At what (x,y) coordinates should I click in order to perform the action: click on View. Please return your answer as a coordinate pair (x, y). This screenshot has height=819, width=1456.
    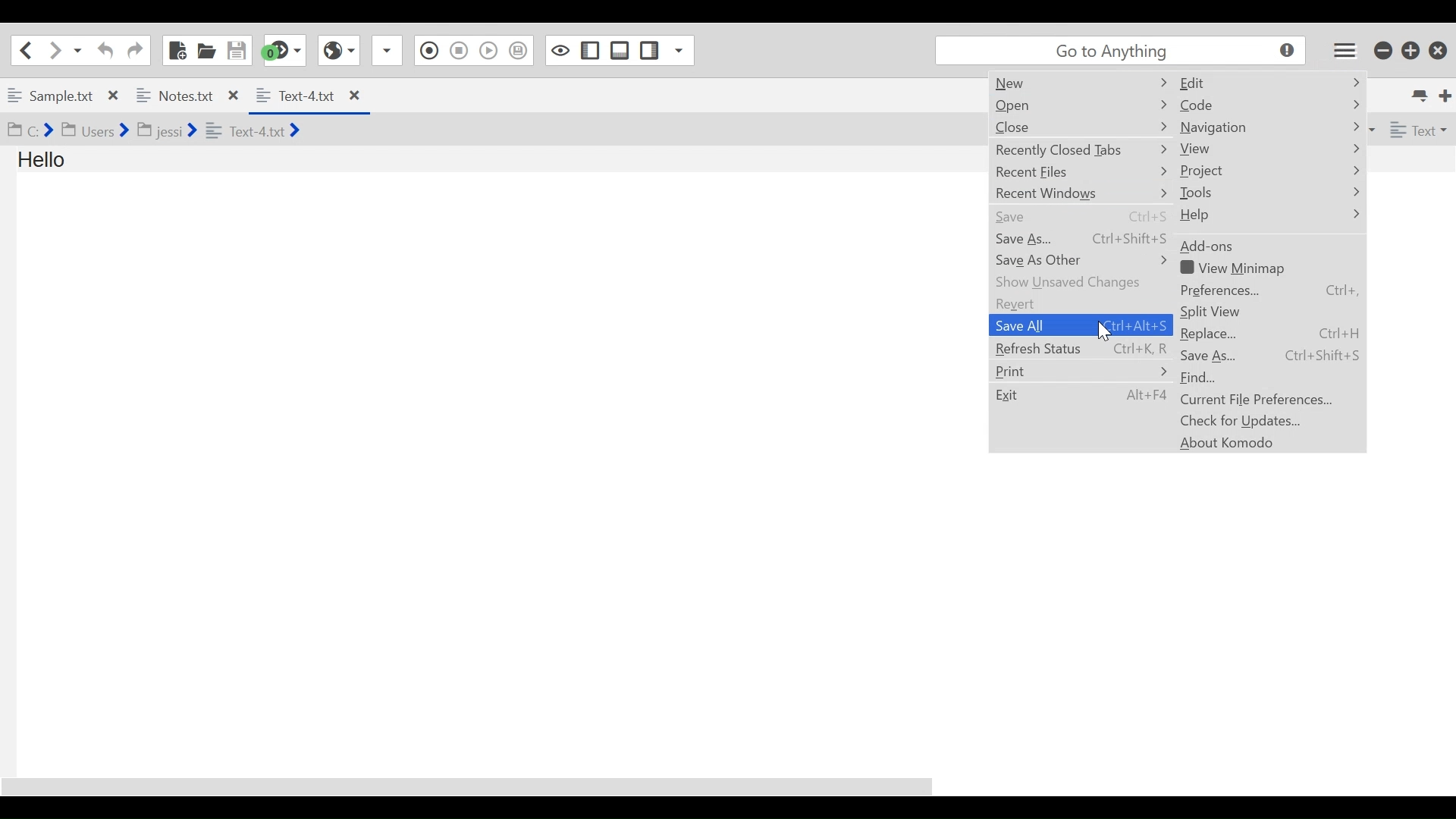
    Looking at the image, I should click on (1268, 148).